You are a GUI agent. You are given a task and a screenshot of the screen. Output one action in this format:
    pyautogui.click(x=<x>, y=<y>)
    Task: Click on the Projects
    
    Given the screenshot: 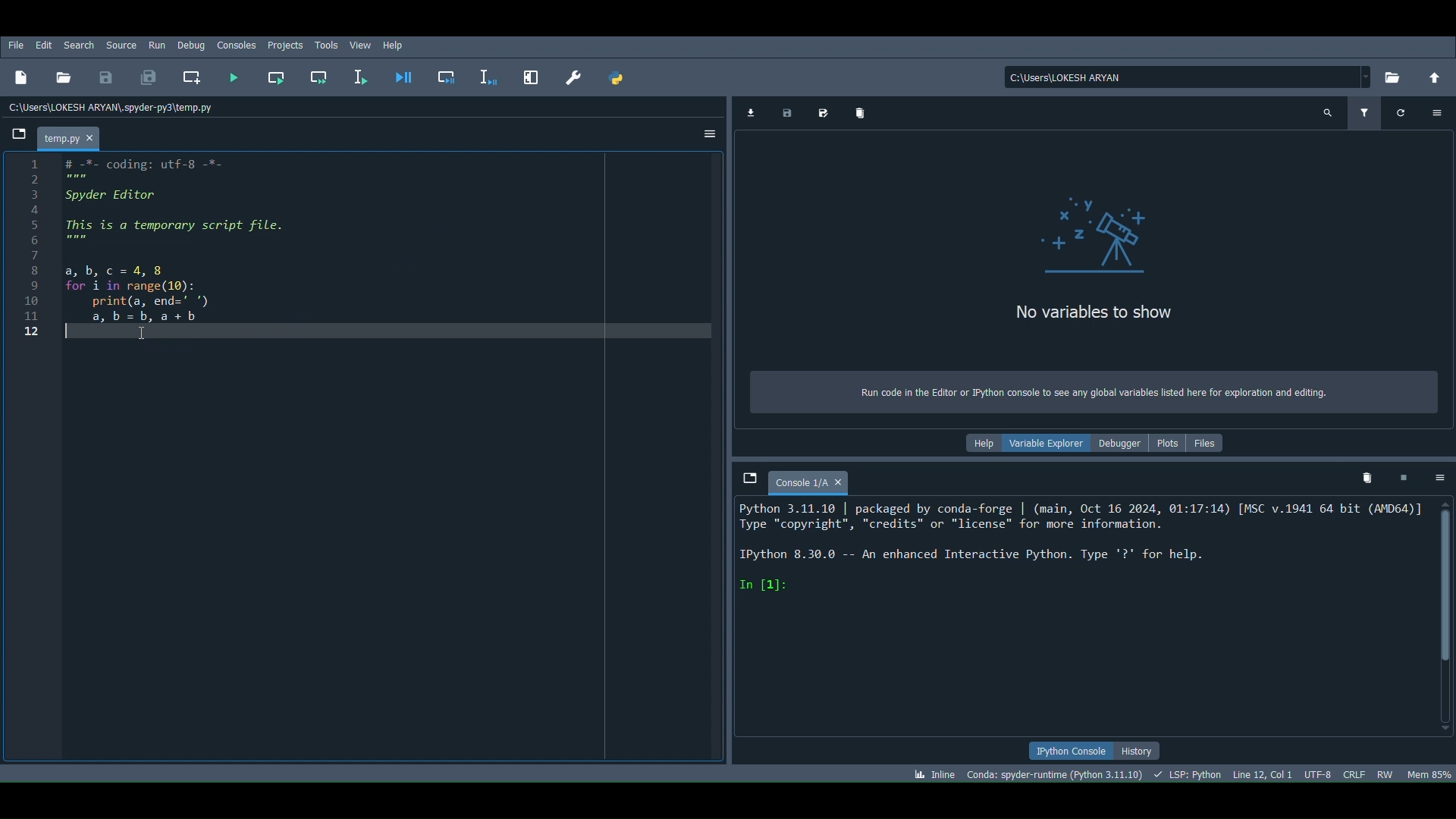 What is the action you would take?
    pyautogui.click(x=284, y=47)
    